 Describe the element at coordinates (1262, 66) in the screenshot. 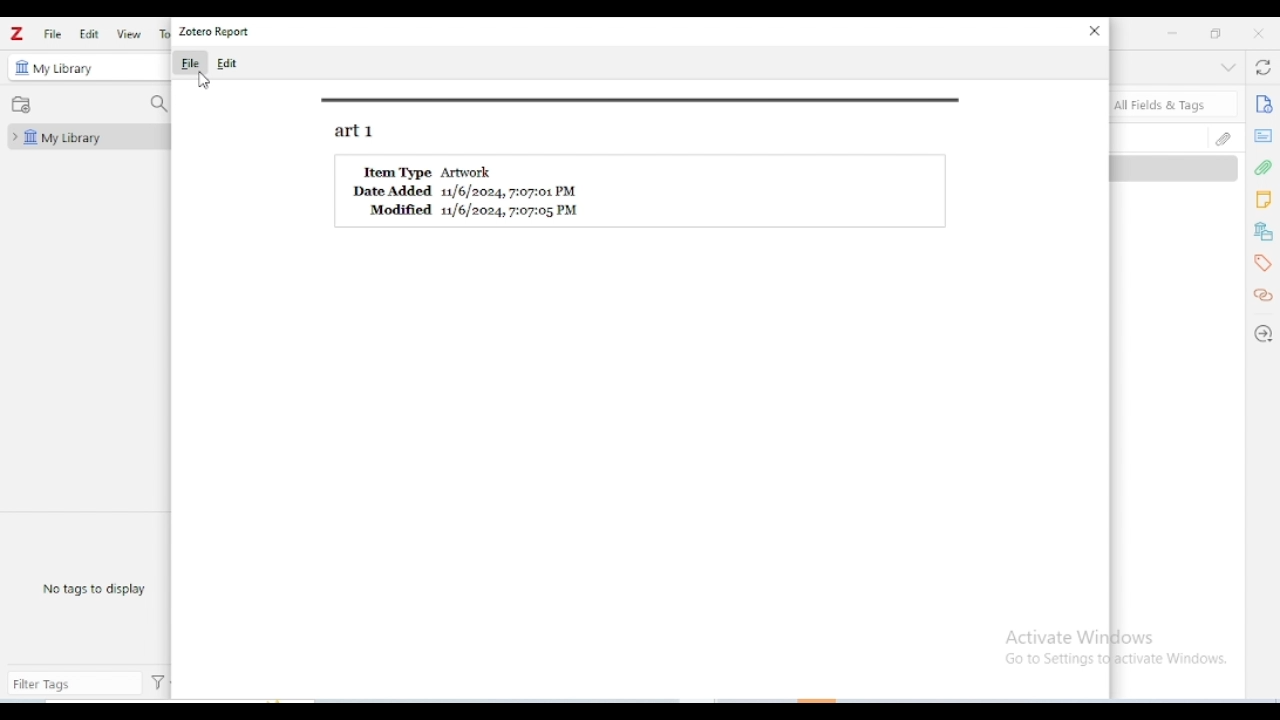

I see `sync with zotero.org` at that location.